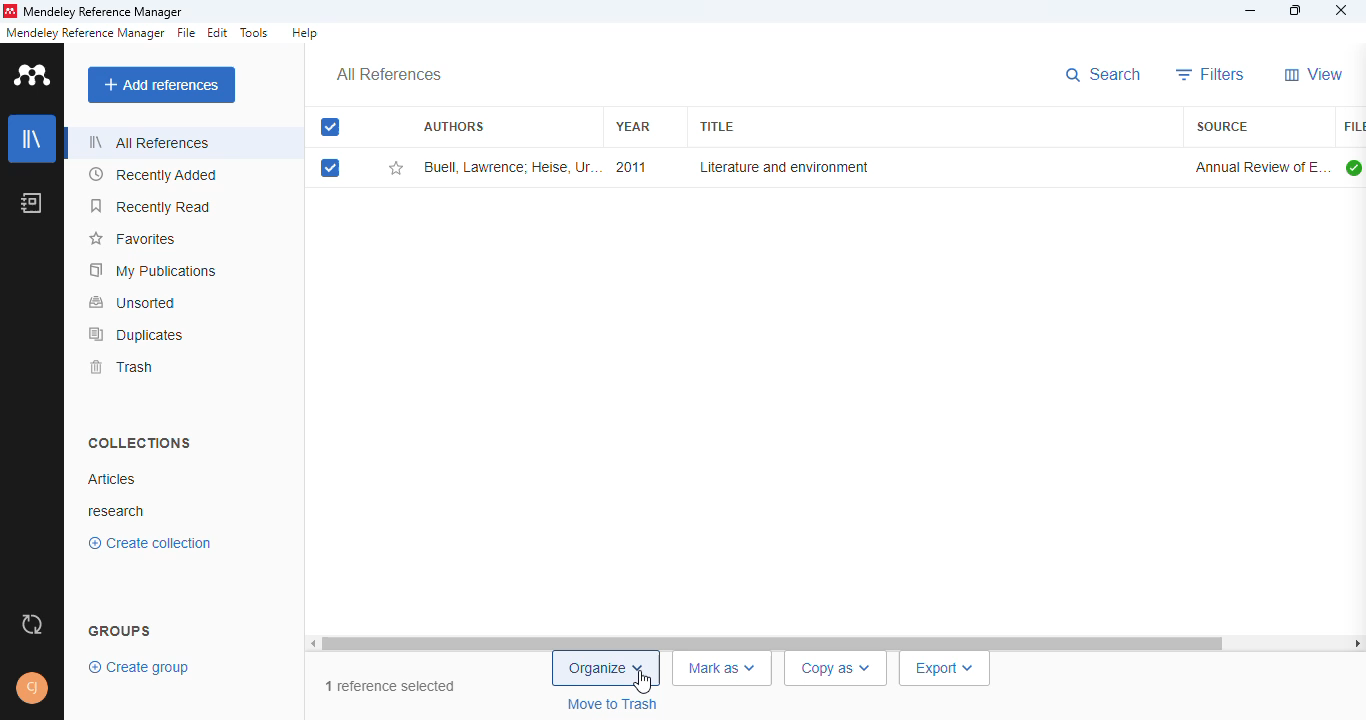 The height and width of the screenshot is (720, 1366). I want to click on file, so click(1353, 127).